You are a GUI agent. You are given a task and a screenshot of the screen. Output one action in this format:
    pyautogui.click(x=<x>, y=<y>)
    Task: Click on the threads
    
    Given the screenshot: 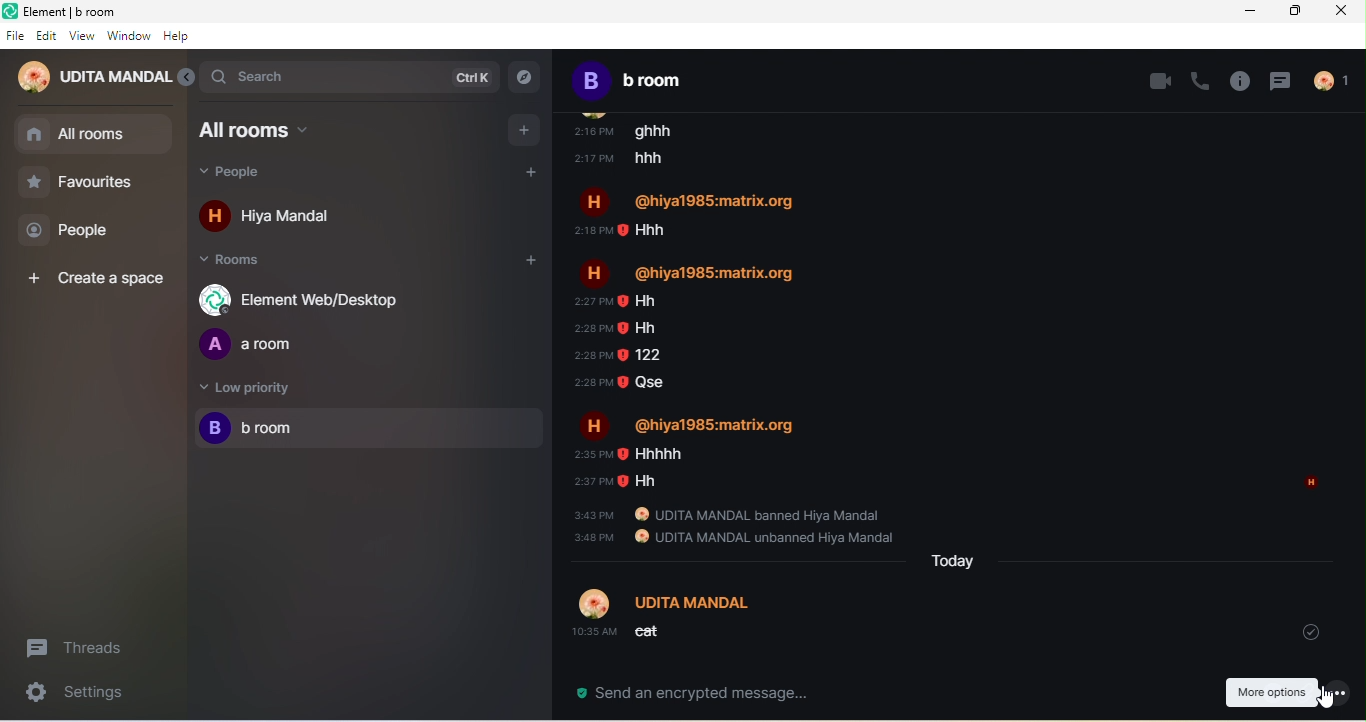 What is the action you would take?
    pyautogui.click(x=1280, y=80)
    